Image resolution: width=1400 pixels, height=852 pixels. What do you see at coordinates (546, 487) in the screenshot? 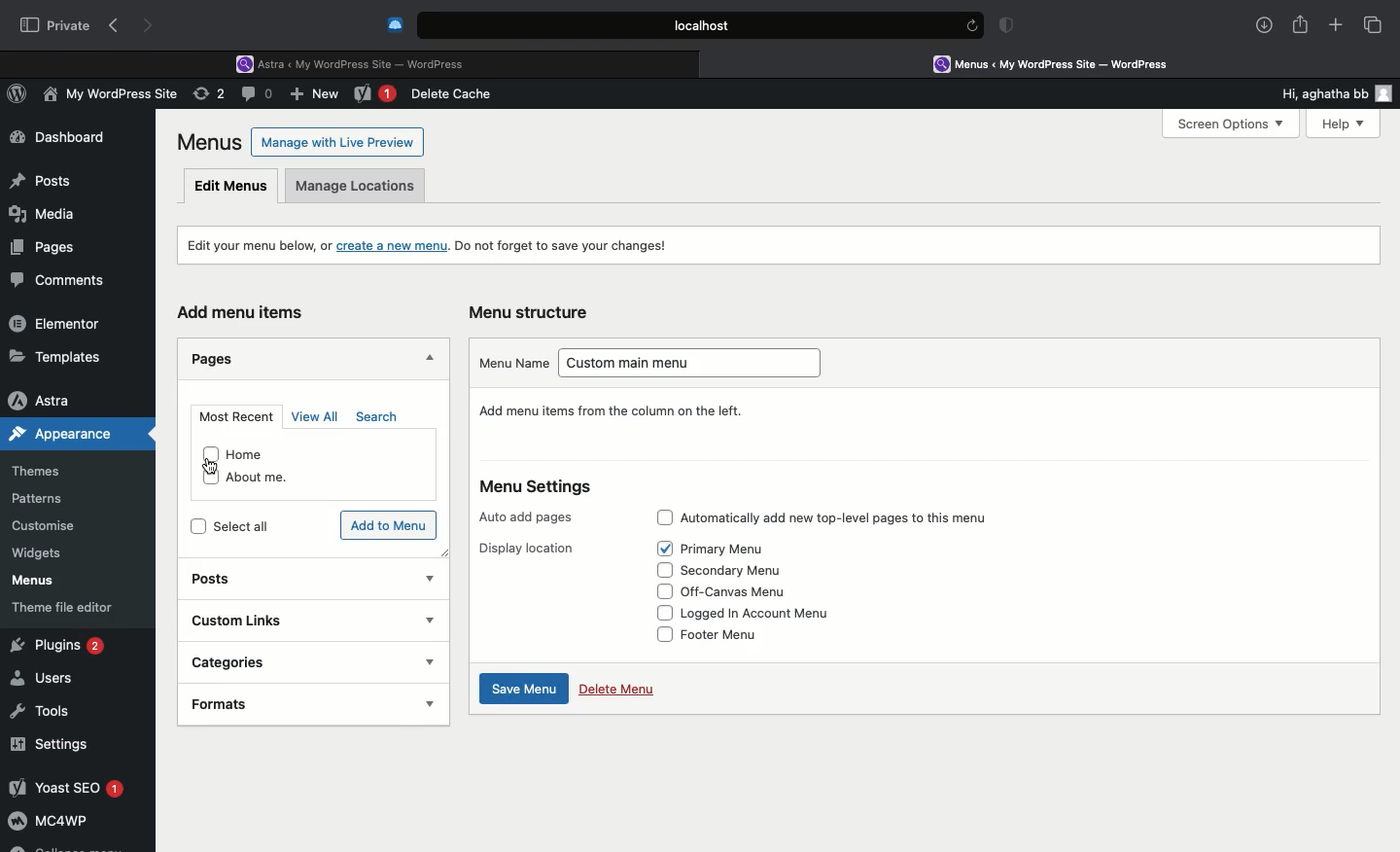
I see `Menu settings` at bounding box center [546, 487].